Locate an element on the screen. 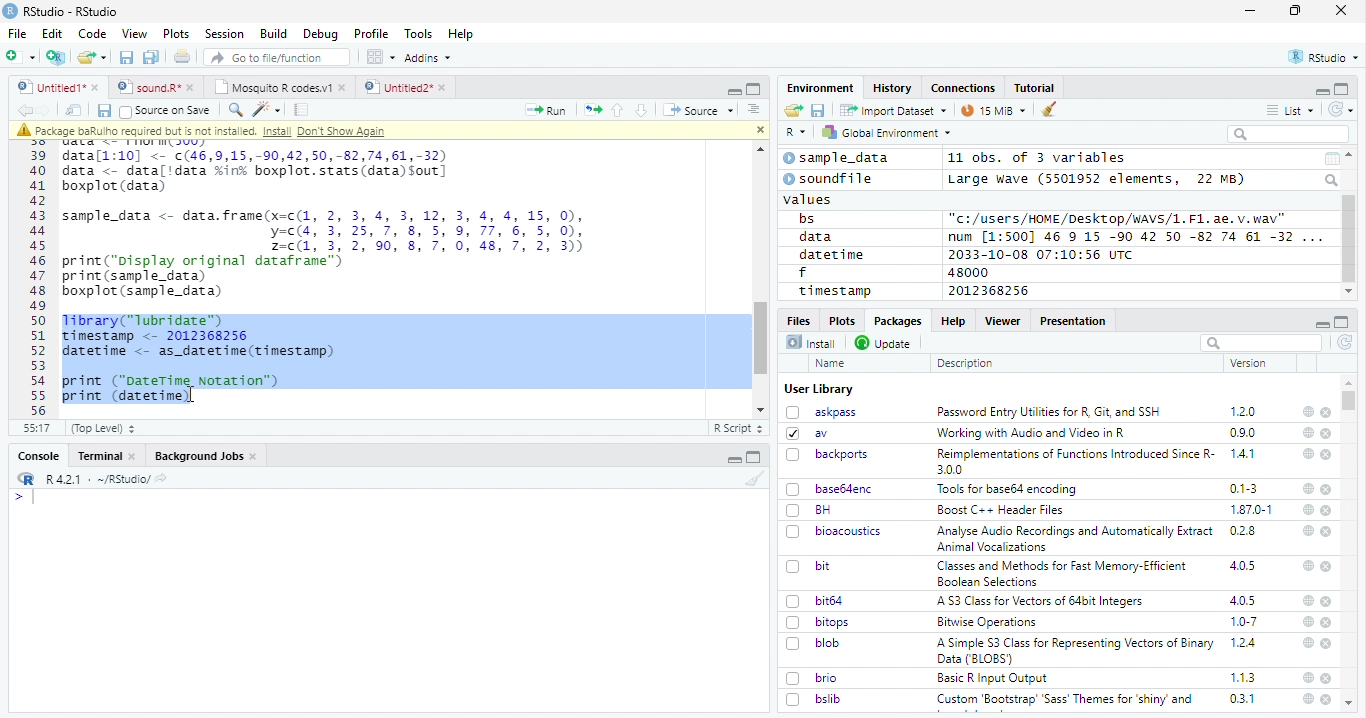 The image size is (1366, 718). bioacoustics is located at coordinates (834, 531).